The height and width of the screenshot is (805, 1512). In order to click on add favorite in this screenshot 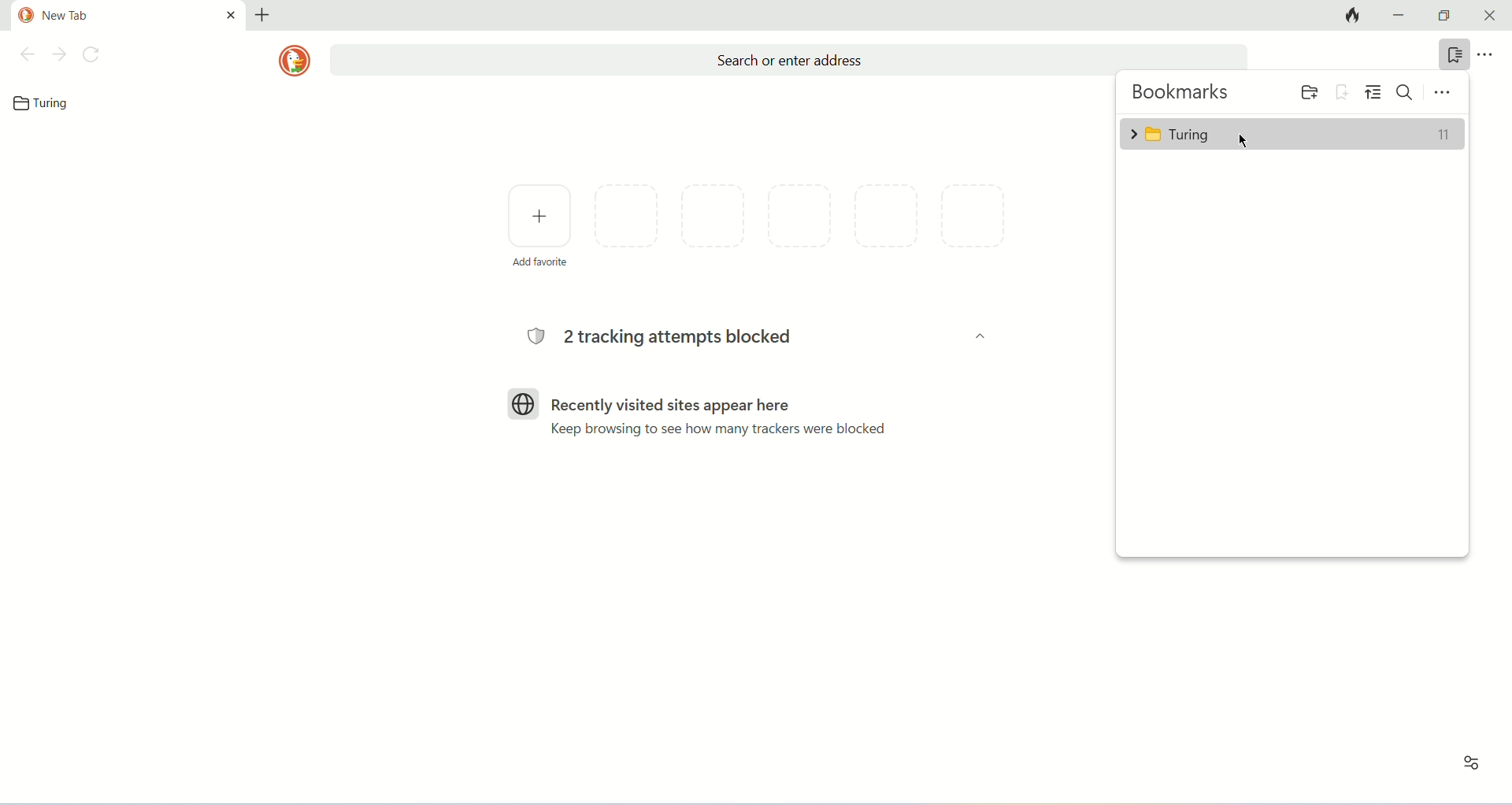, I will do `click(539, 224)`.